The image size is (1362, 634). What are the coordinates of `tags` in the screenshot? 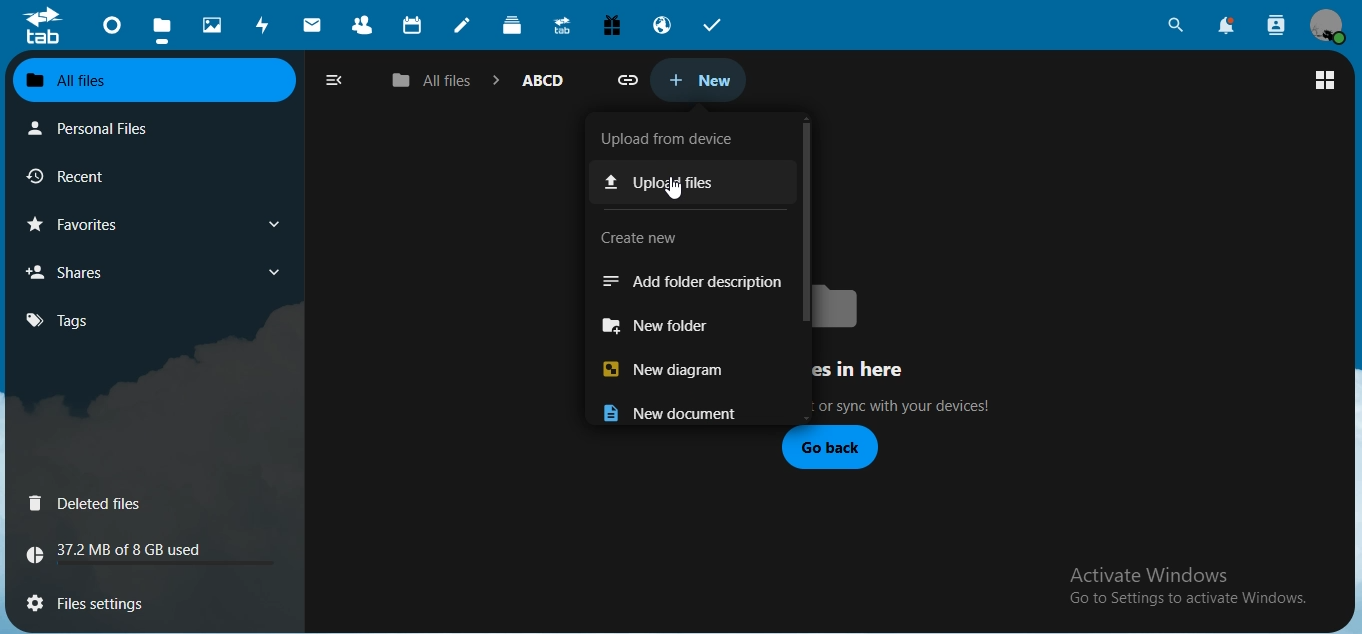 It's located at (58, 321).